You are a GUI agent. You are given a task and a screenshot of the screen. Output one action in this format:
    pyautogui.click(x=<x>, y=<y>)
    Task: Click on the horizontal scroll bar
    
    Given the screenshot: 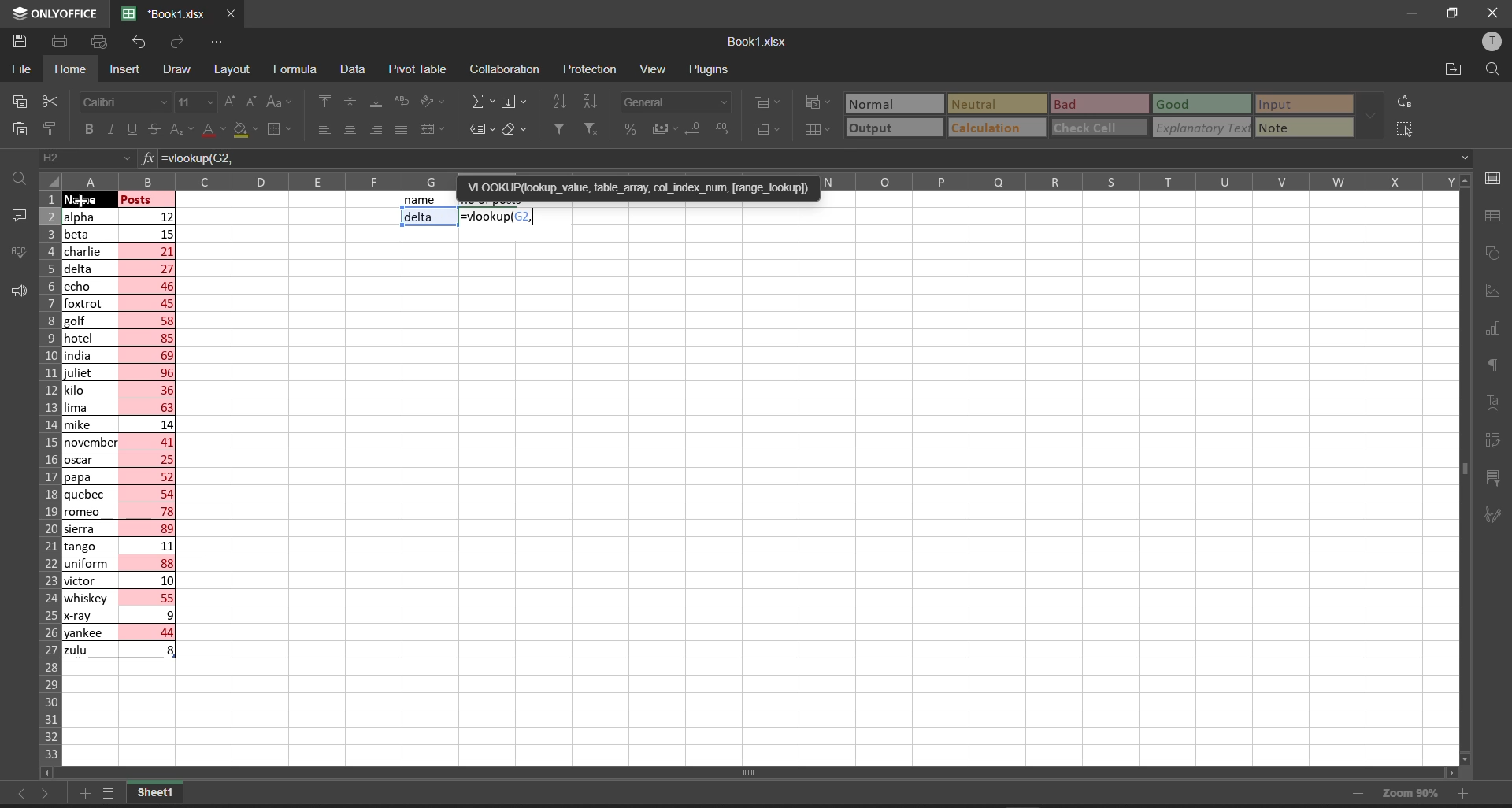 What is the action you would take?
    pyautogui.click(x=753, y=773)
    